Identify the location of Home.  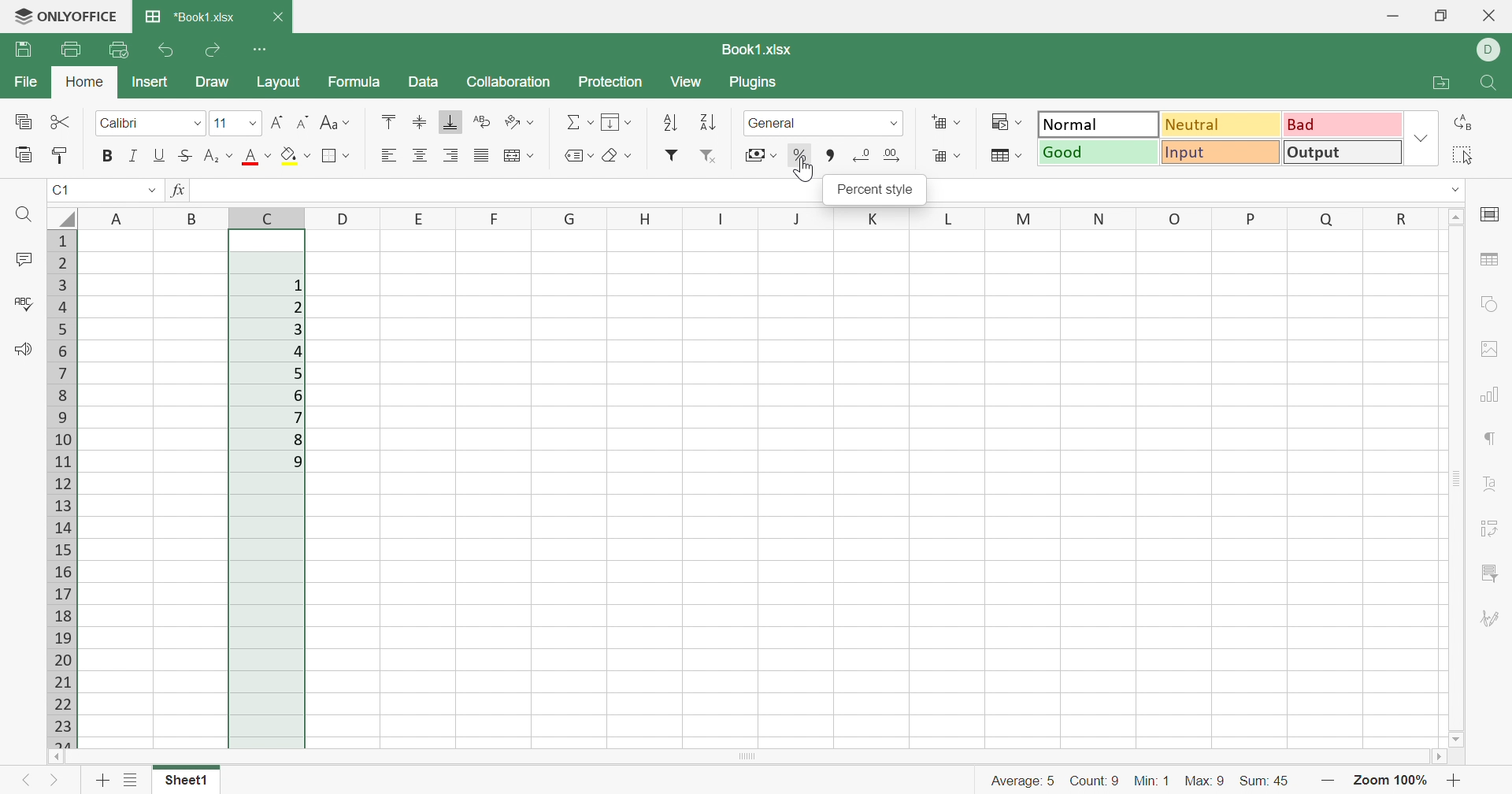
(83, 80).